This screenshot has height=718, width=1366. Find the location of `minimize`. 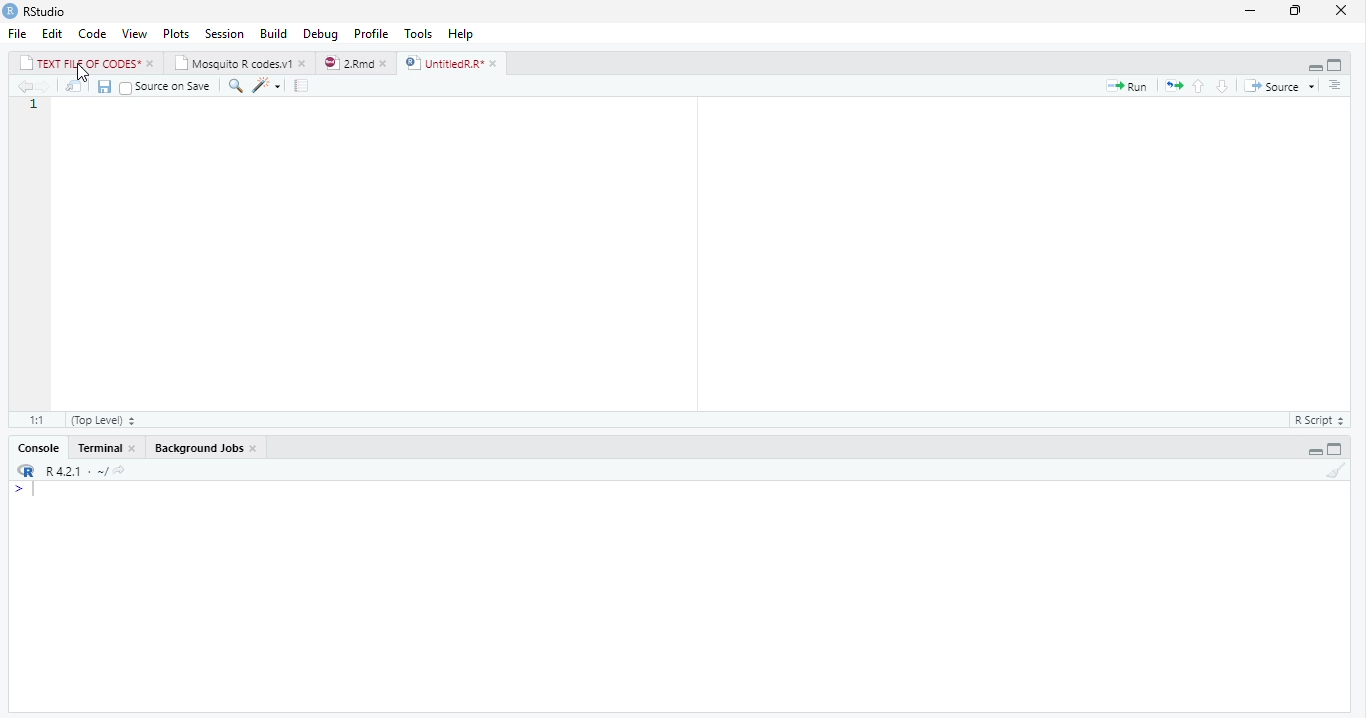

minimize is located at coordinates (1250, 12).